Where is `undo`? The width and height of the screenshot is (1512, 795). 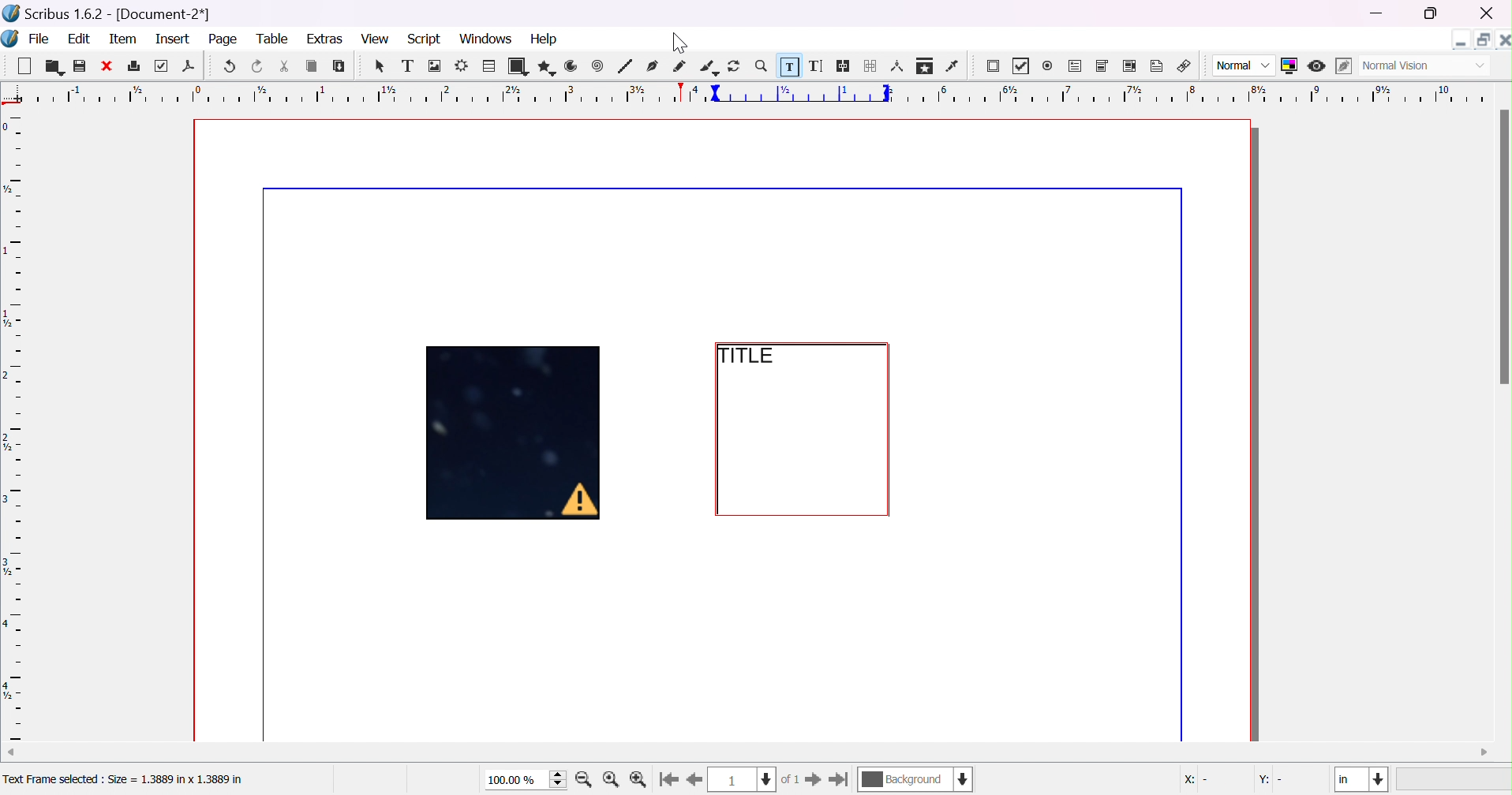
undo is located at coordinates (232, 67).